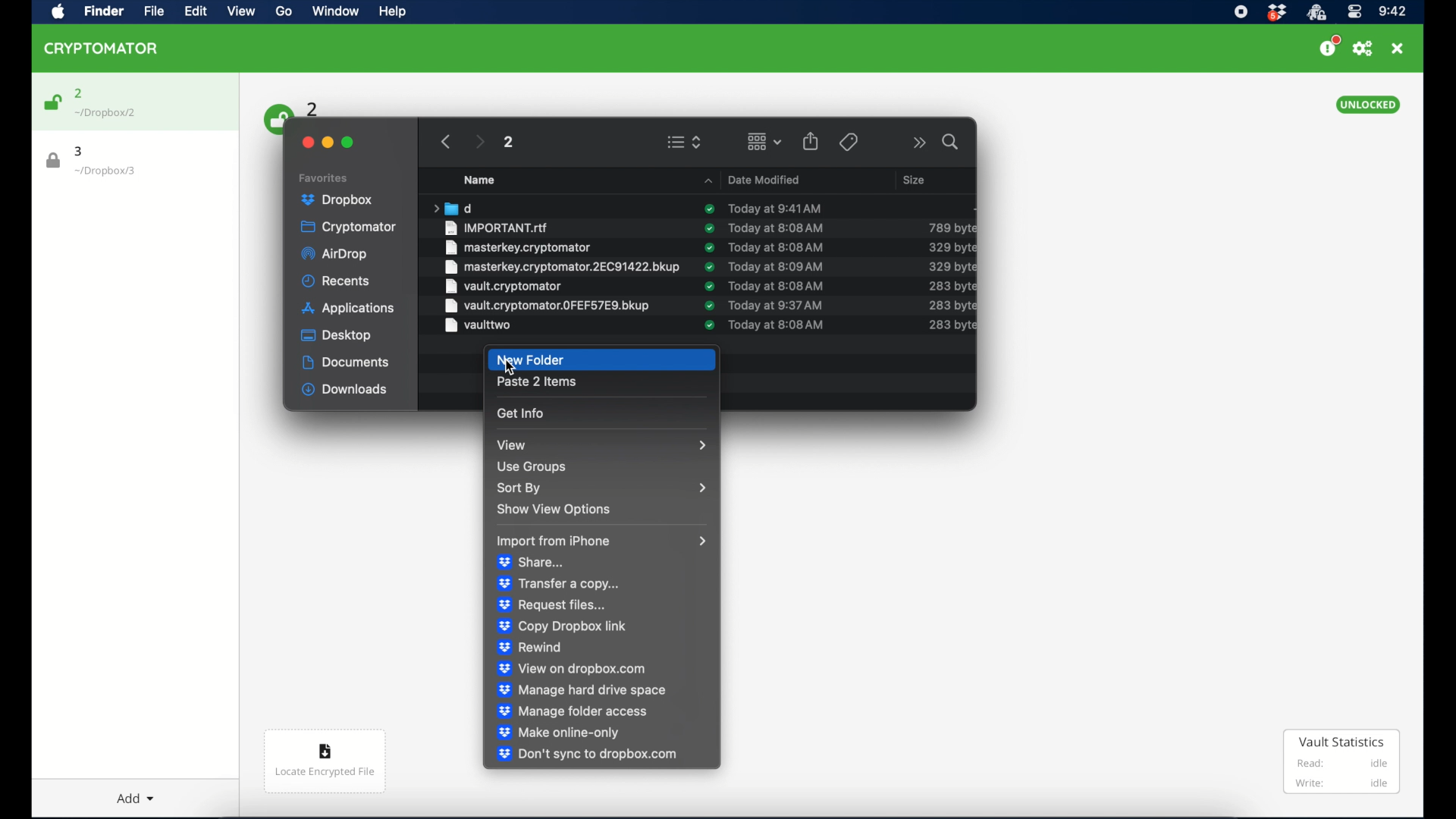 Image resolution: width=1456 pixels, height=819 pixels. What do you see at coordinates (1240, 12) in the screenshot?
I see `screen recorder icon` at bounding box center [1240, 12].